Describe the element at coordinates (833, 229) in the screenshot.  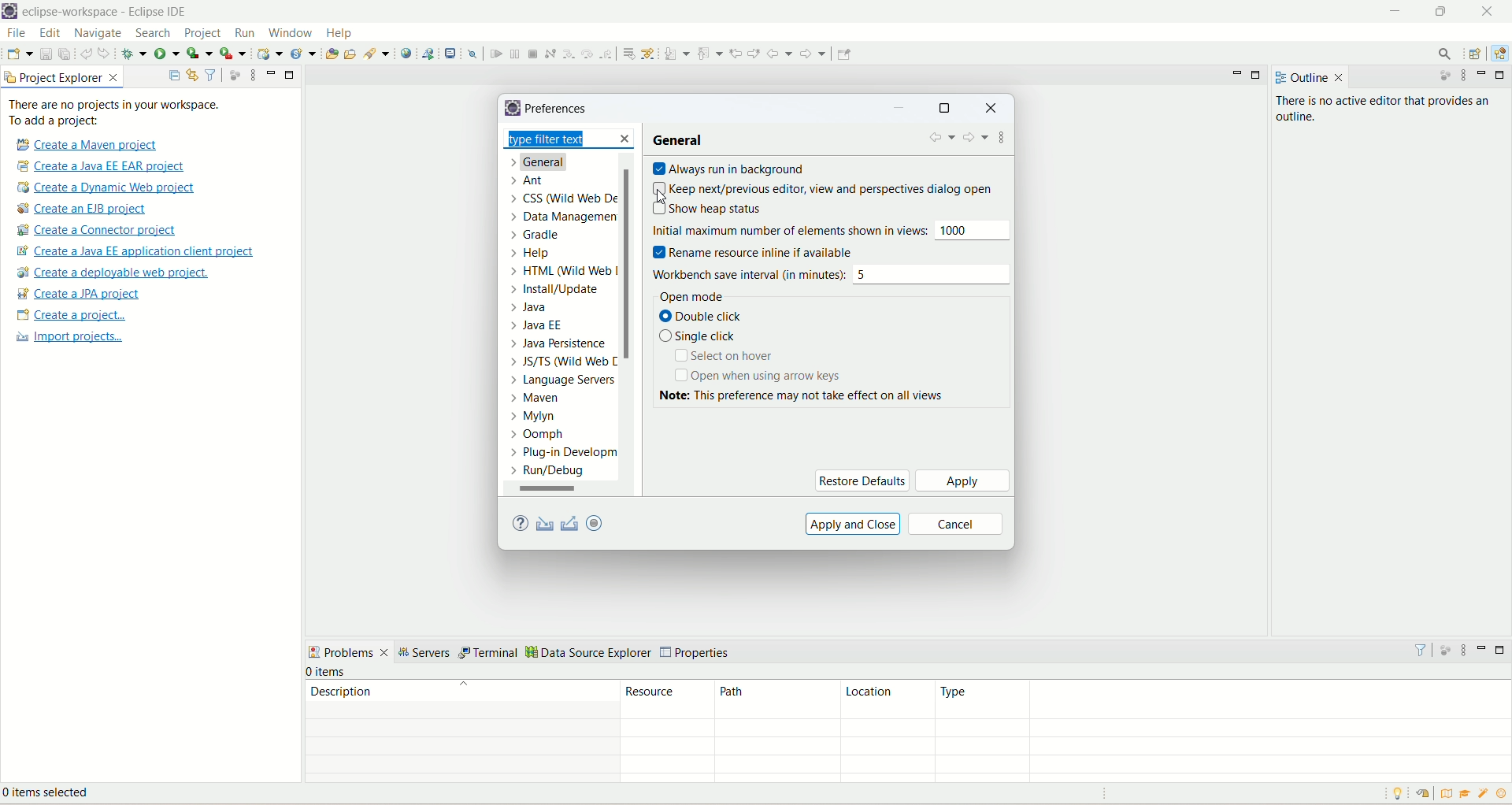
I see `initial maximum number of elements shown in views: 1000` at that location.